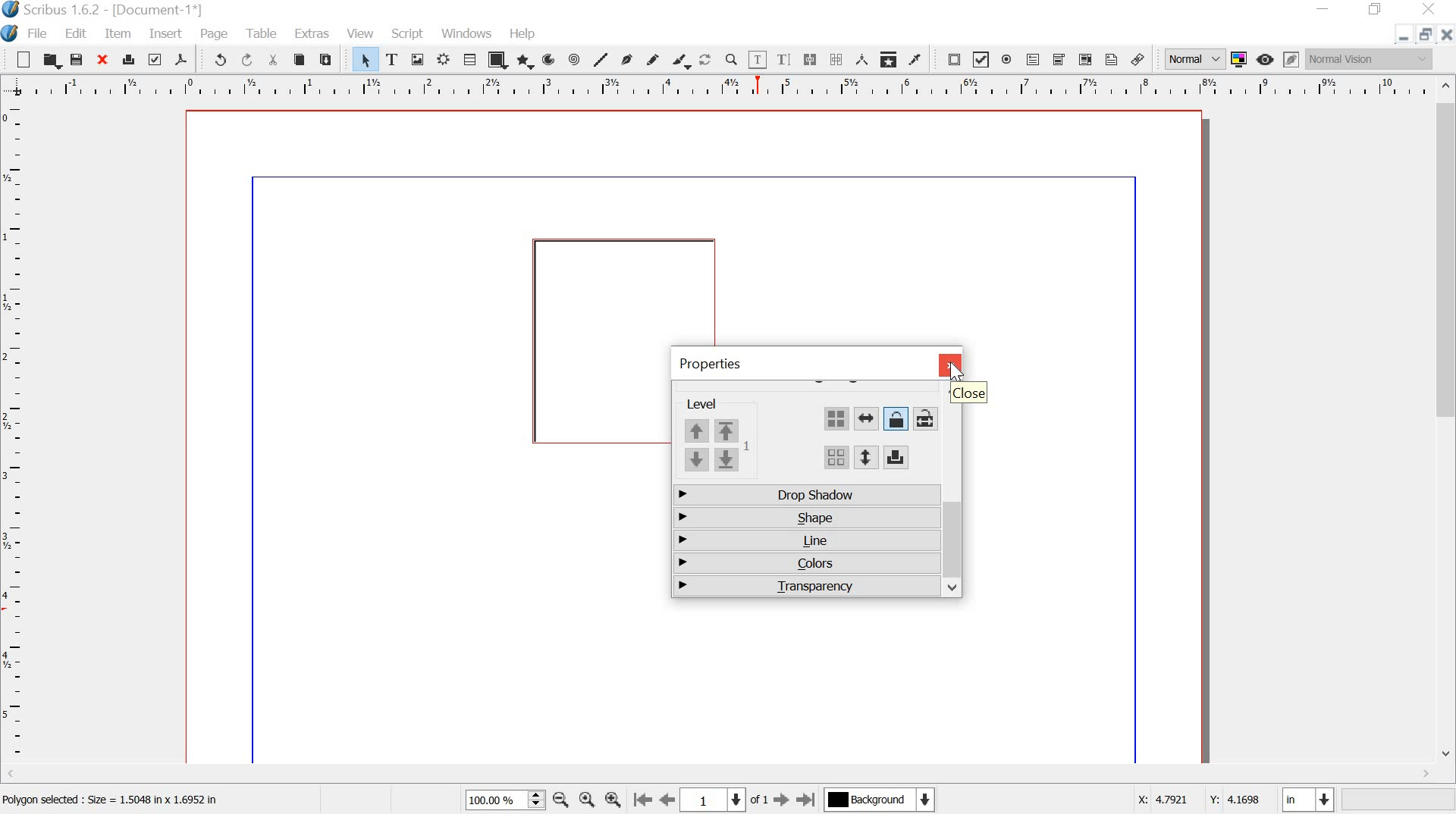 This screenshot has width=1456, height=814. I want to click on restore down, so click(1375, 9).